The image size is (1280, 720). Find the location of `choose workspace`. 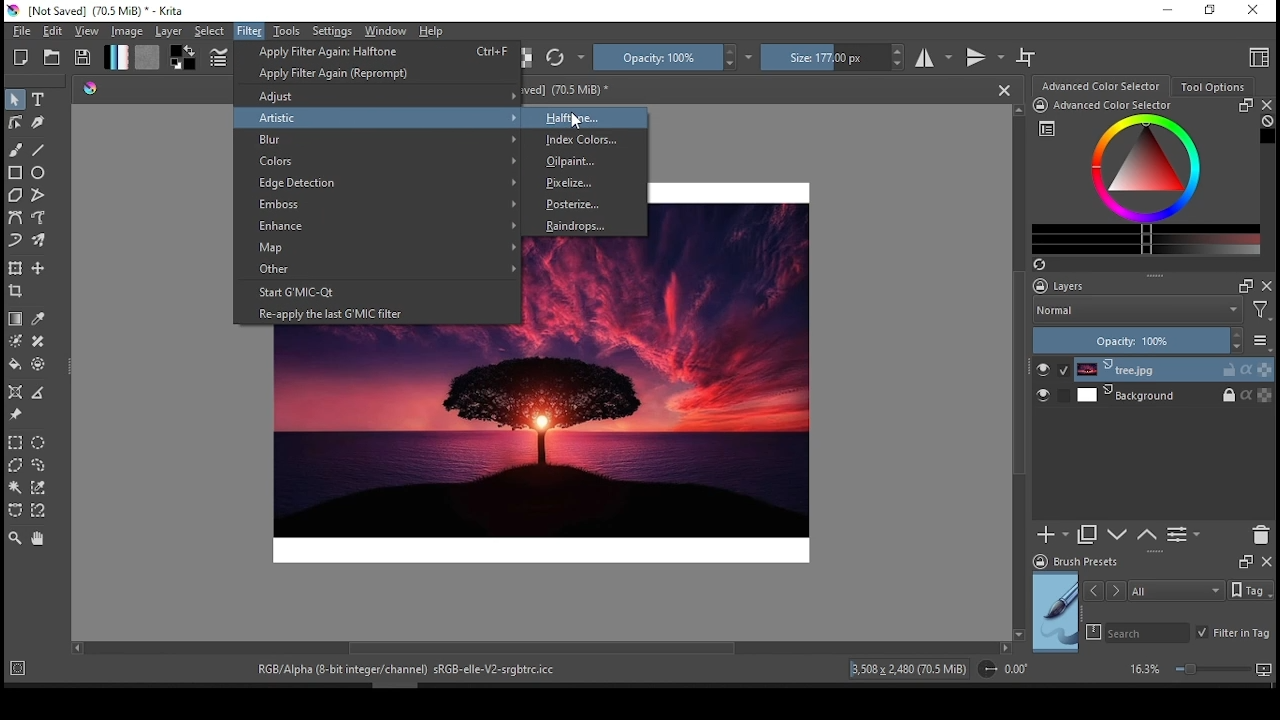

choose workspace is located at coordinates (1255, 56).